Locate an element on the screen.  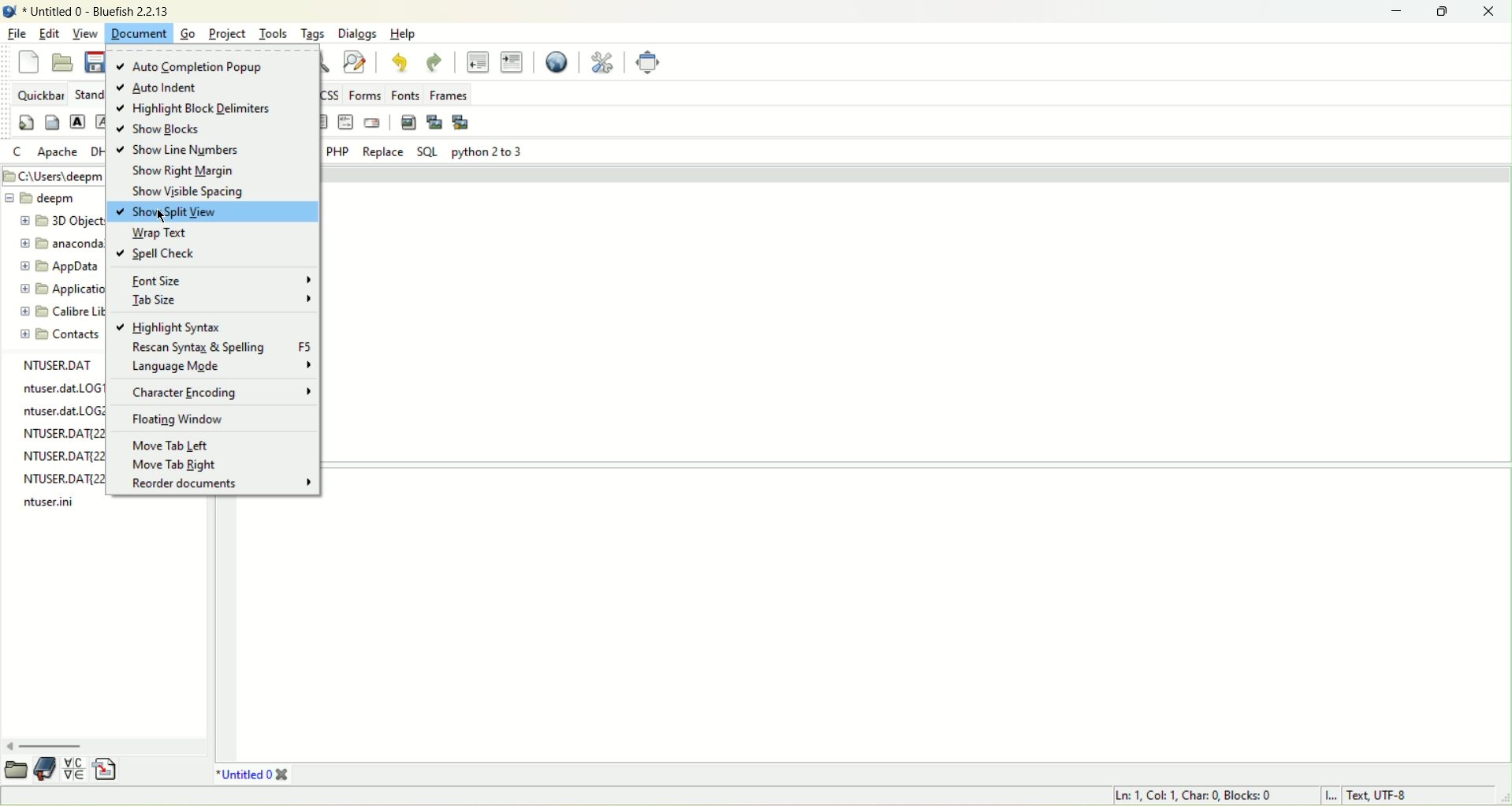
file is located at coordinates (17, 32).